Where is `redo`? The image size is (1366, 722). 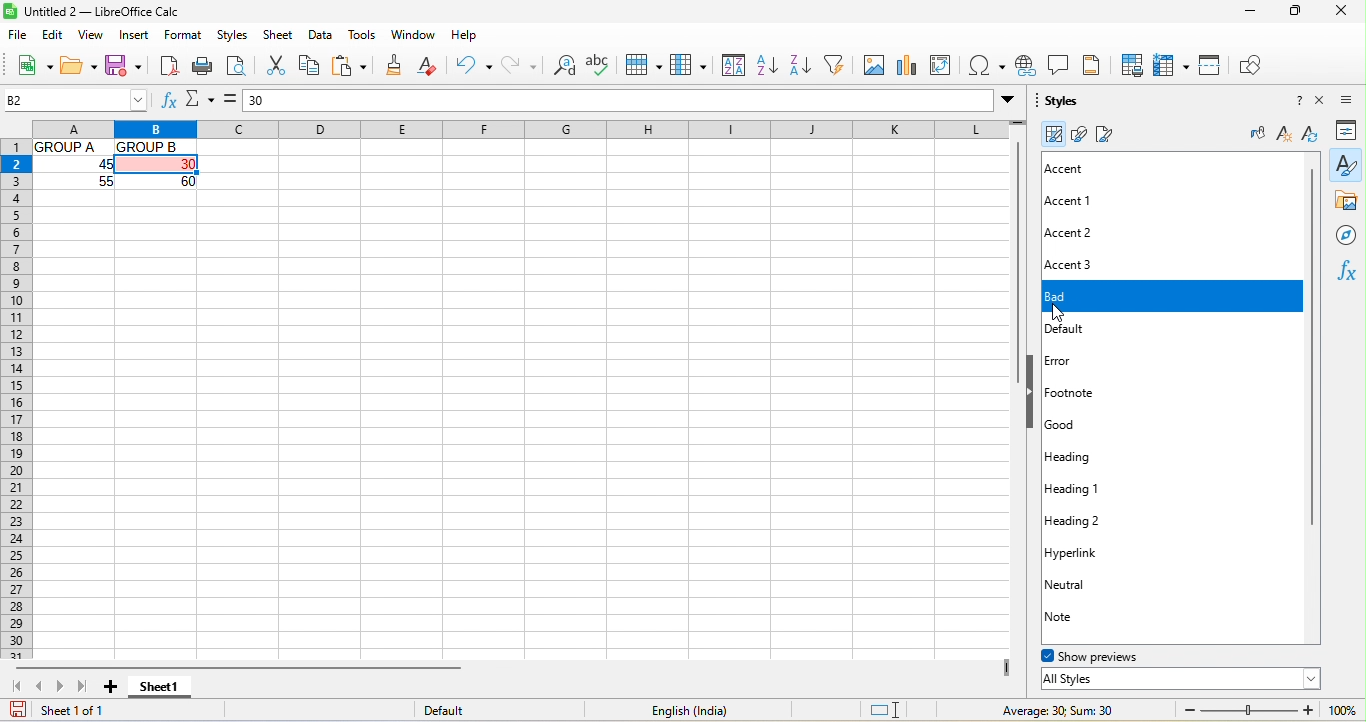
redo is located at coordinates (520, 68).